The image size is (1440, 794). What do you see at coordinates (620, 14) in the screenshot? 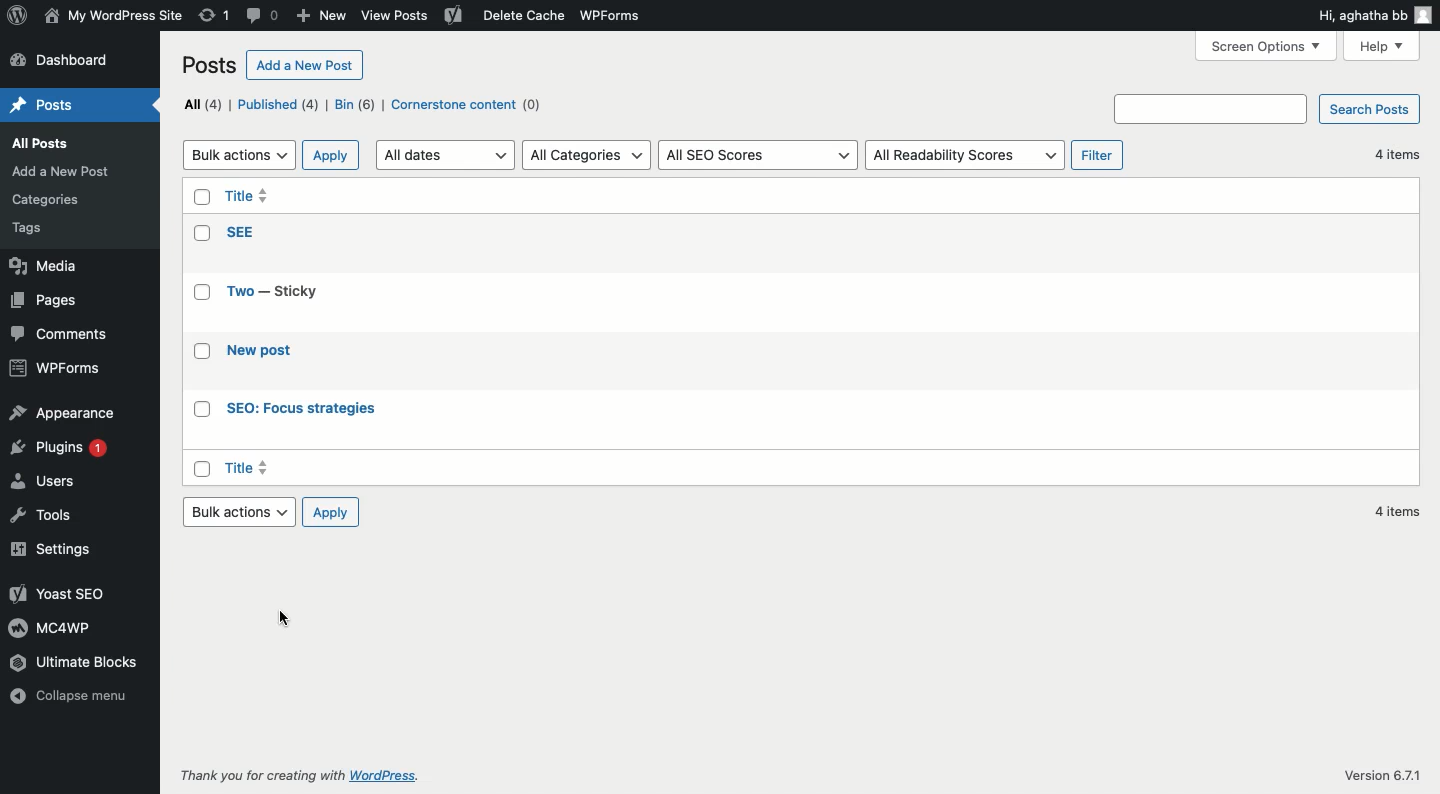
I see `WPForms` at bounding box center [620, 14].